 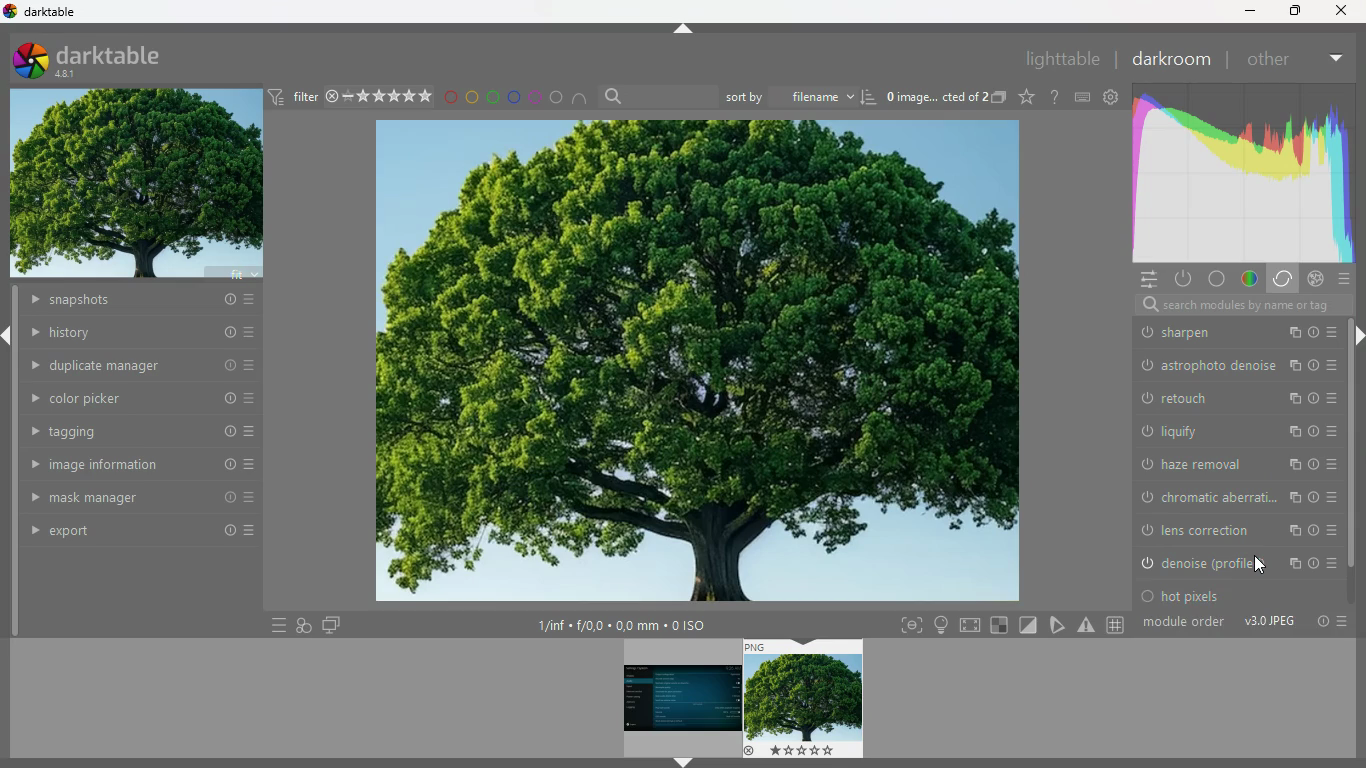 What do you see at coordinates (1083, 97) in the screenshot?
I see `keyboard` at bounding box center [1083, 97].